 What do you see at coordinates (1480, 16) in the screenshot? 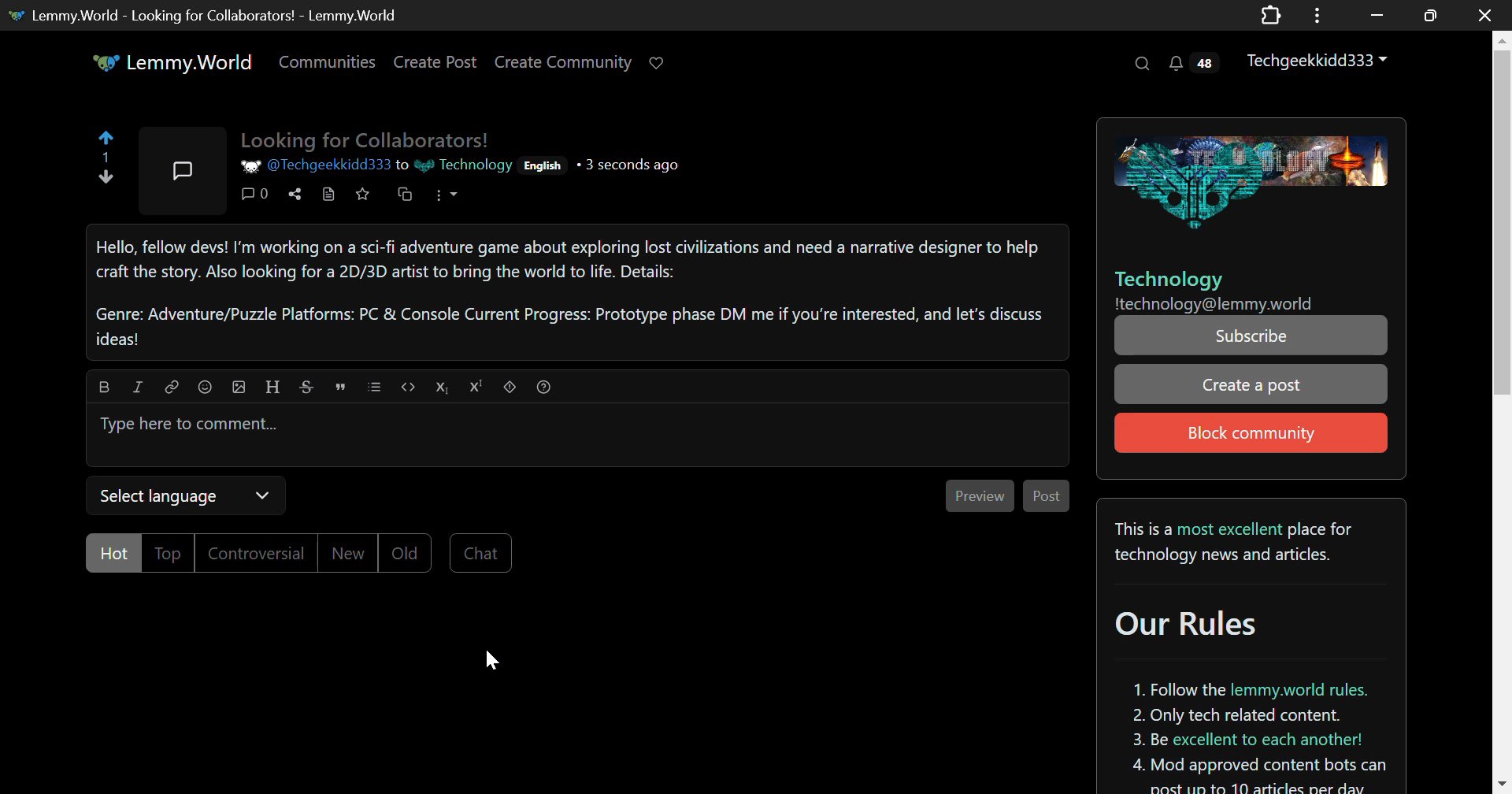
I see `Close Window` at bounding box center [1480, 16].